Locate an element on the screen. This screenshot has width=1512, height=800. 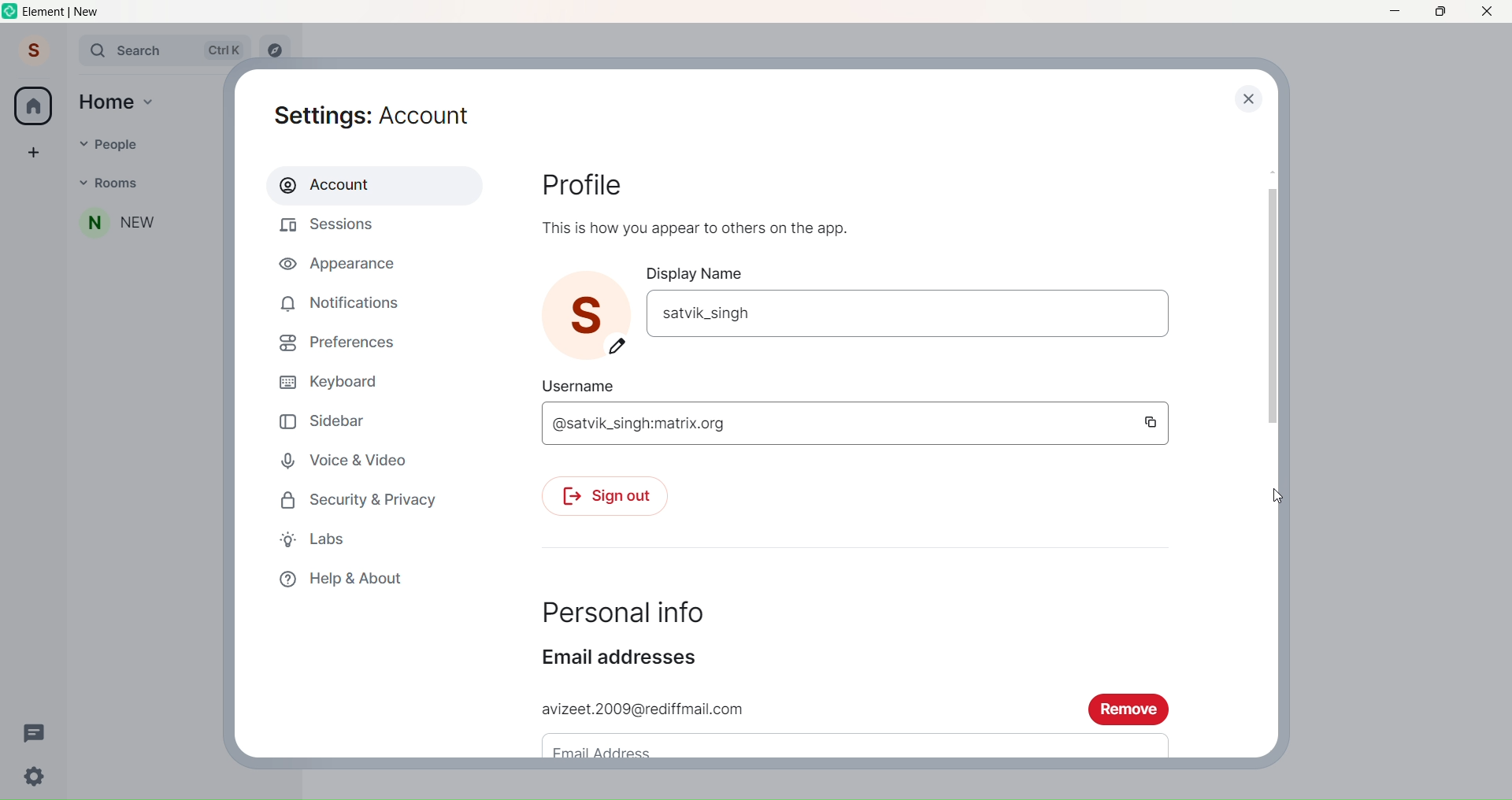
Scroll Bar is located at coordinates (1270, 306).